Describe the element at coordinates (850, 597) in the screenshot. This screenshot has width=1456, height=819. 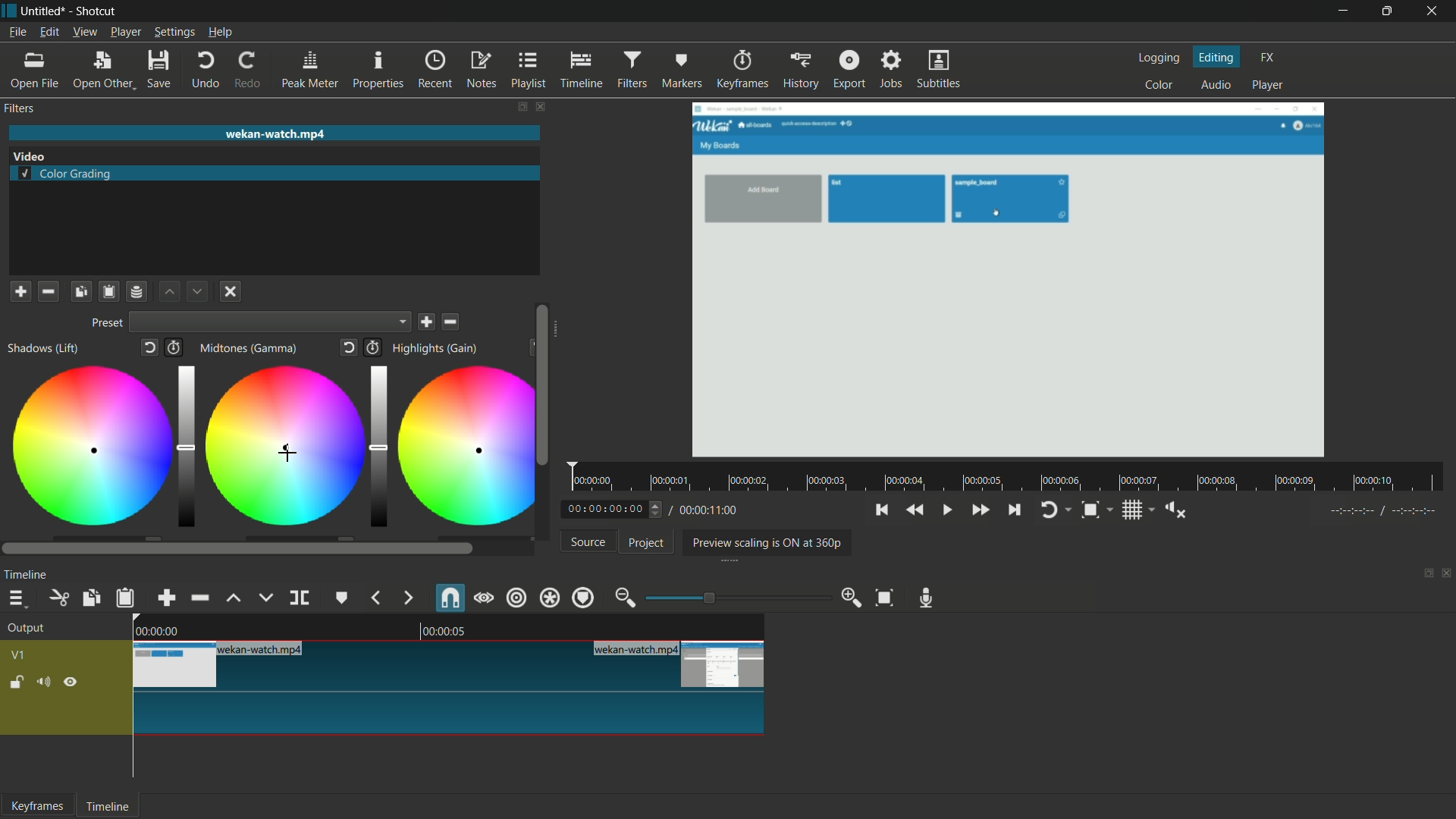
I see `zoom in` at that location.